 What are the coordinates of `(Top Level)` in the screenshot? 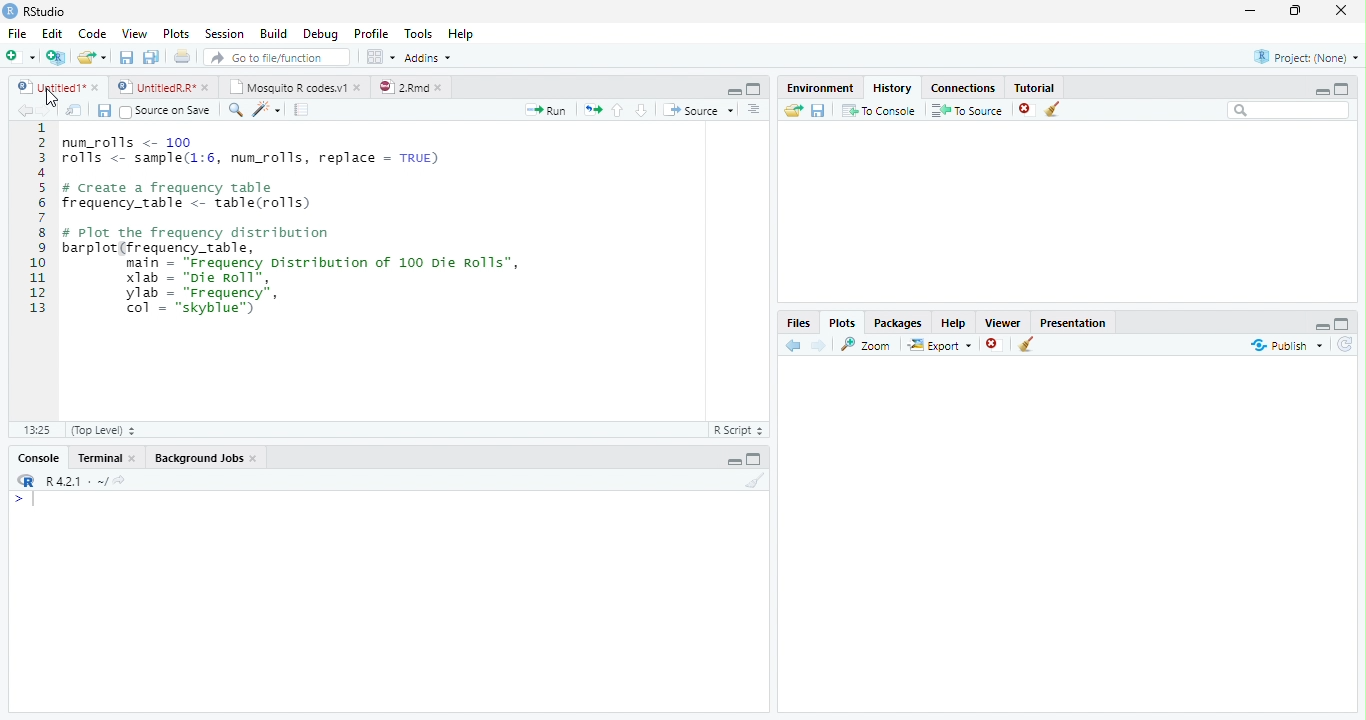 It's located at (103, 430).